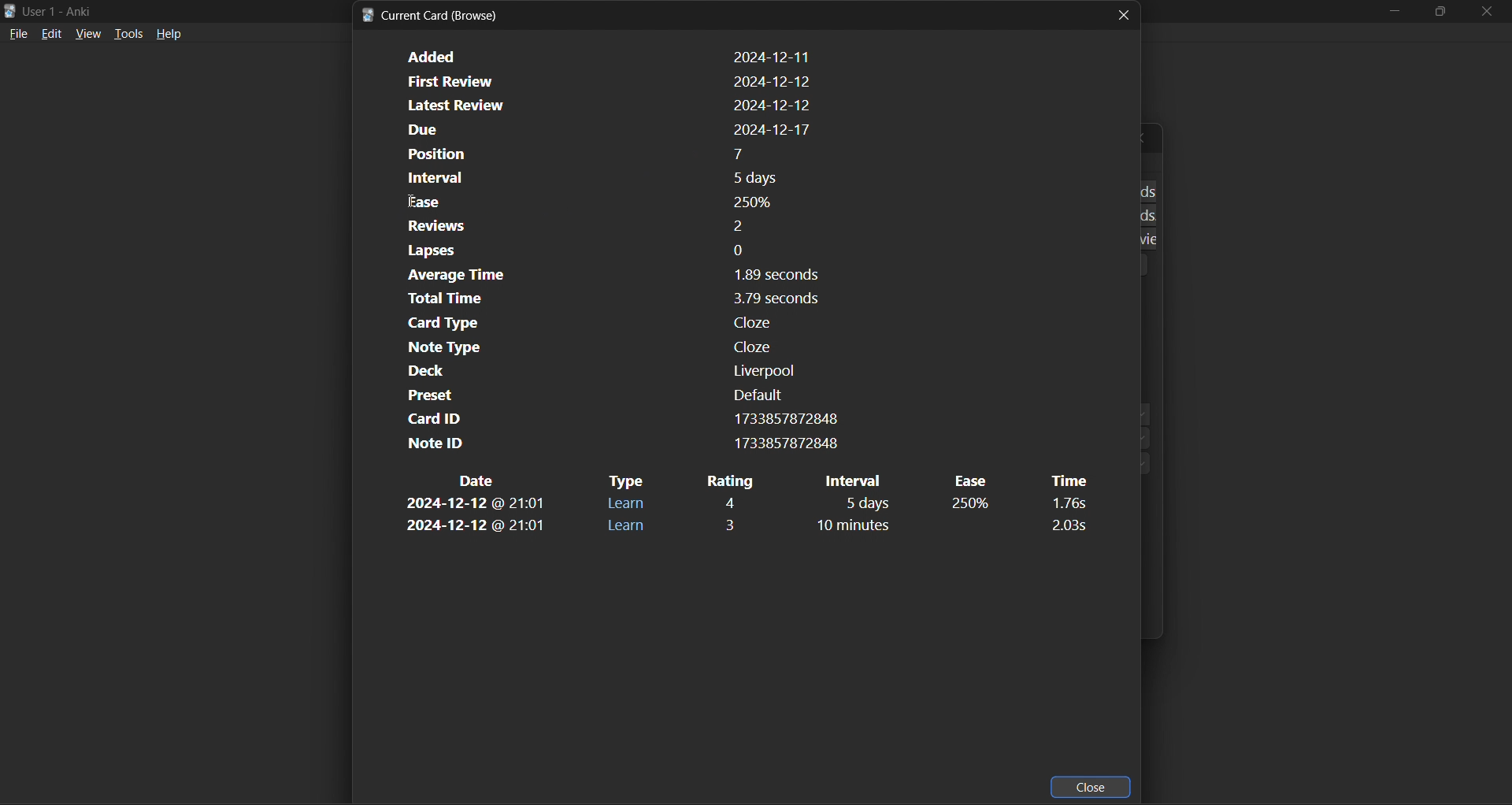 Image resolution: width=1512 pixels, height=805 pixels. I want to click on card average time, so click(604, 276).